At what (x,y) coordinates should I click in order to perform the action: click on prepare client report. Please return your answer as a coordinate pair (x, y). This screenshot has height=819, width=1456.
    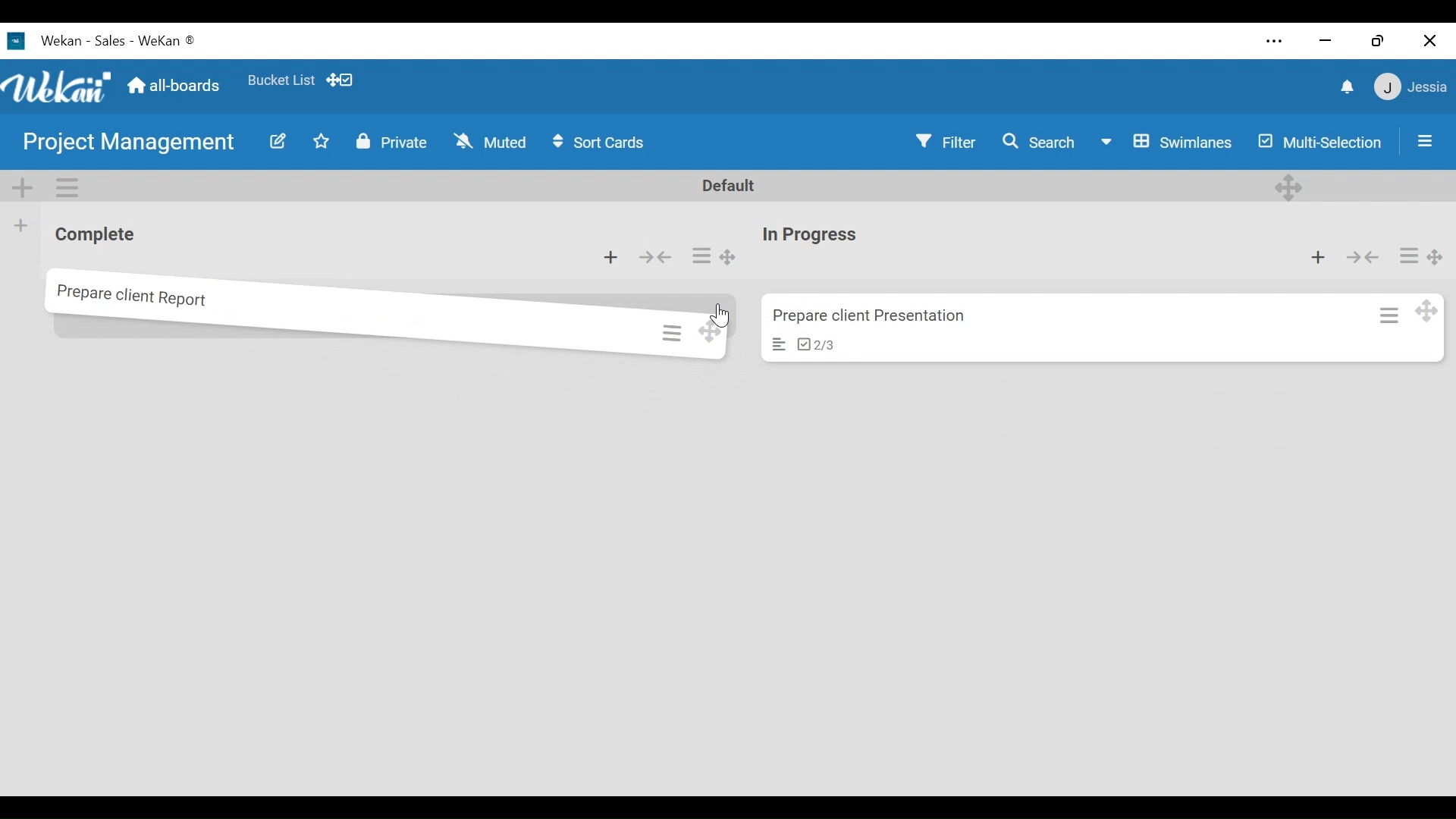
    Looking at the image, I should click on (147, 300).